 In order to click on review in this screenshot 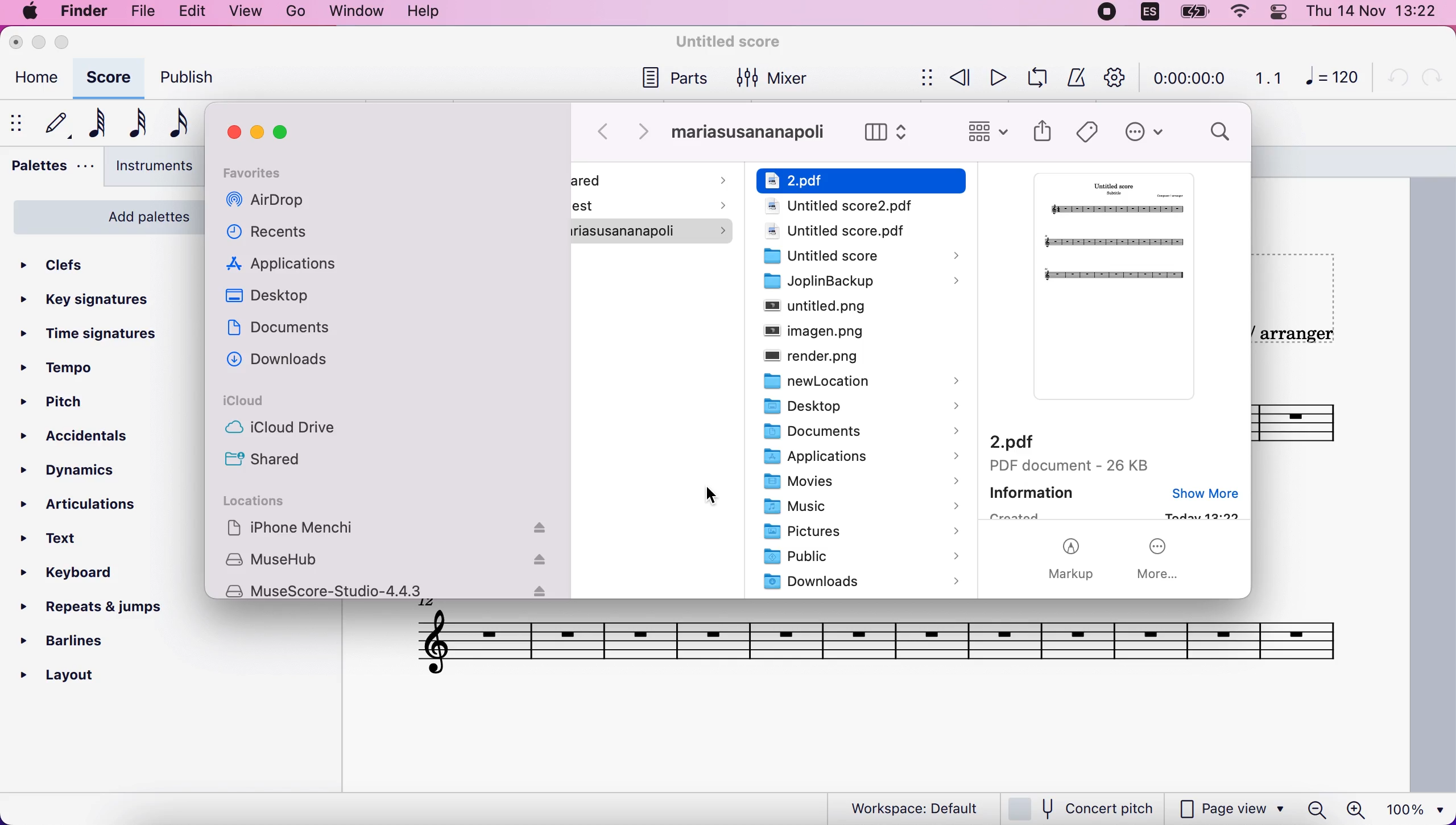, I will do `click(958, 79)`.